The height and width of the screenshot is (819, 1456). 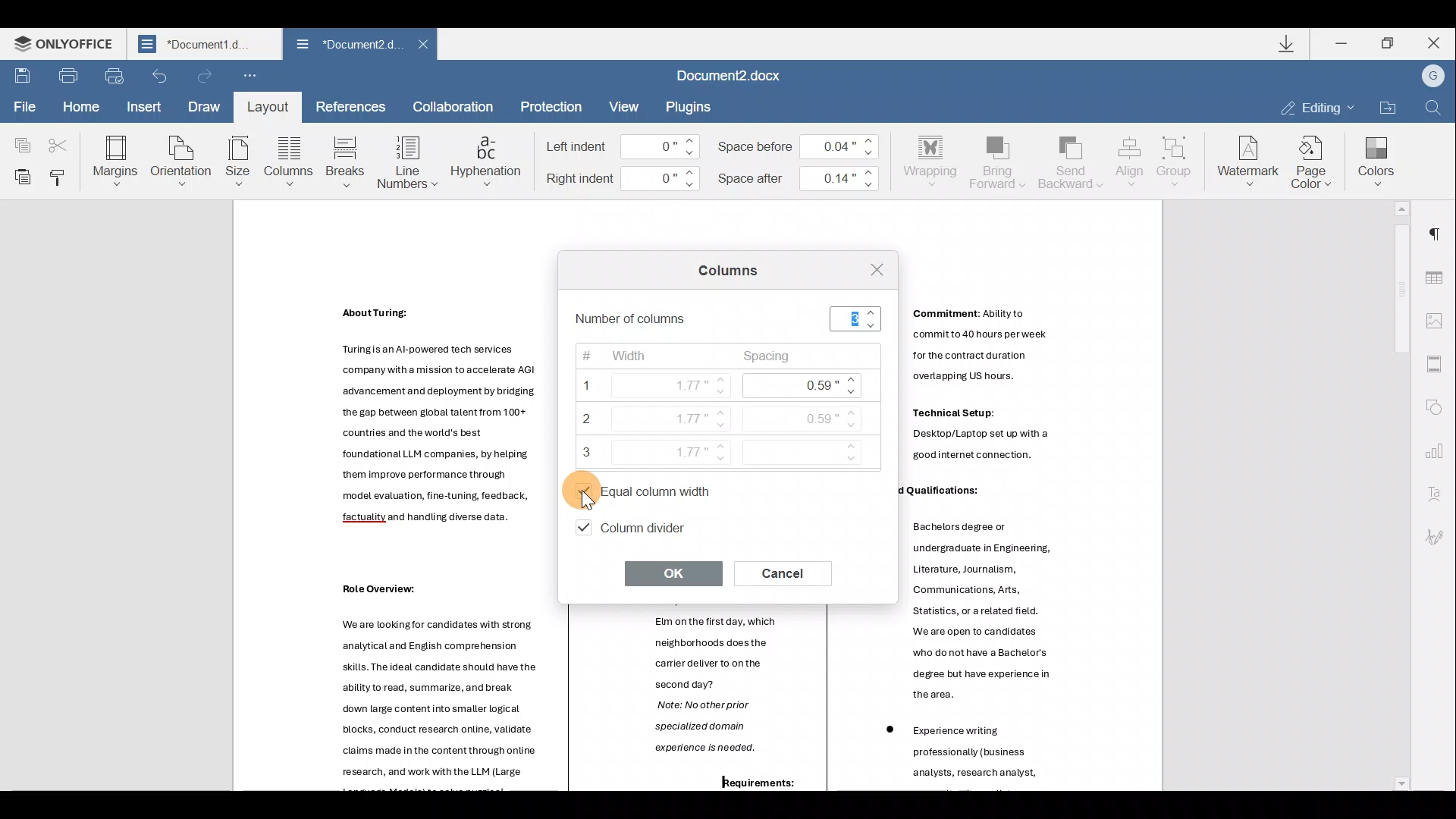 I want to click on , so click(x=755, y=782).